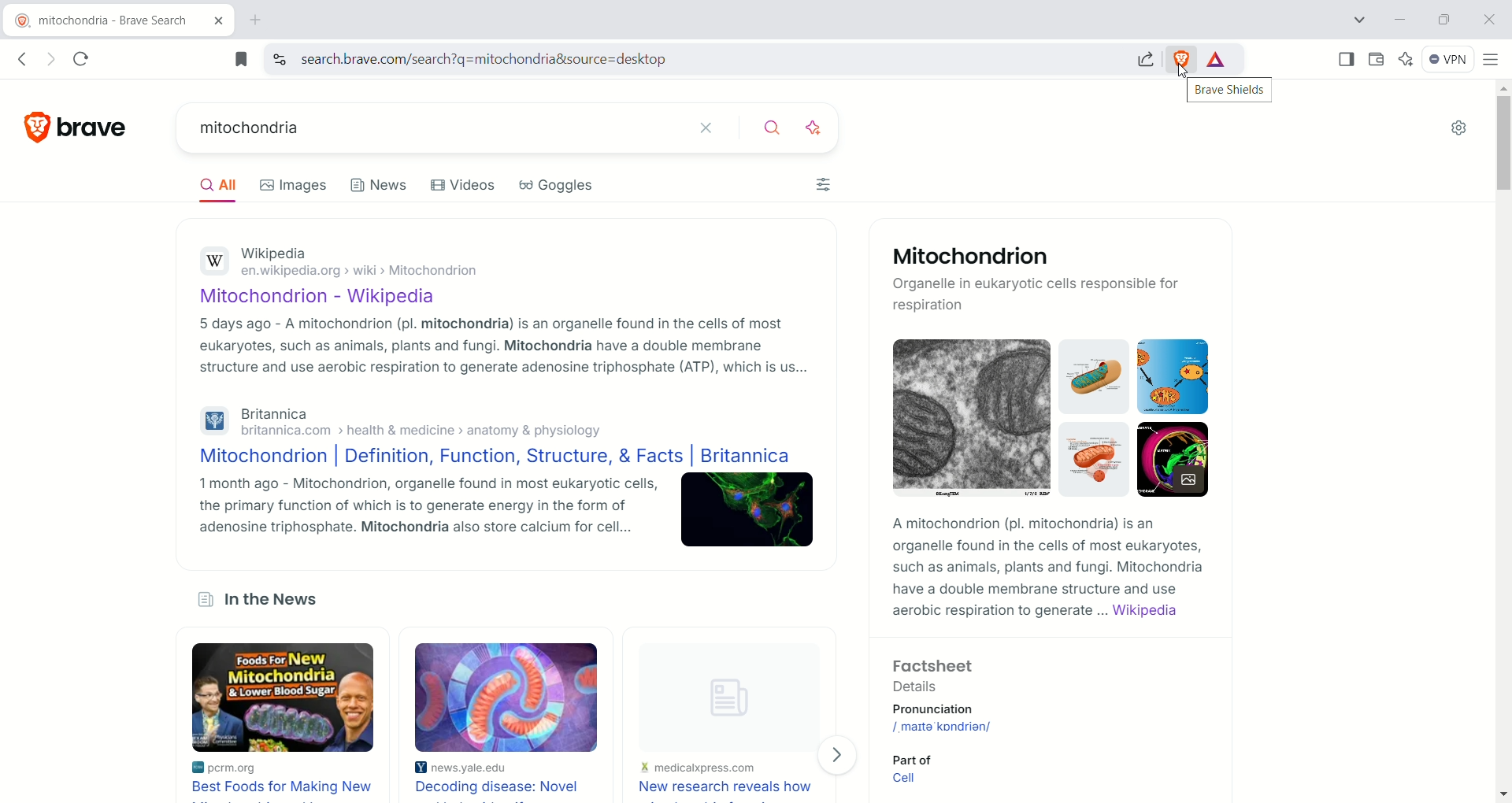  Describe the element at coordinates (920, 757) in the screenshot. I see `Part of` at that location.